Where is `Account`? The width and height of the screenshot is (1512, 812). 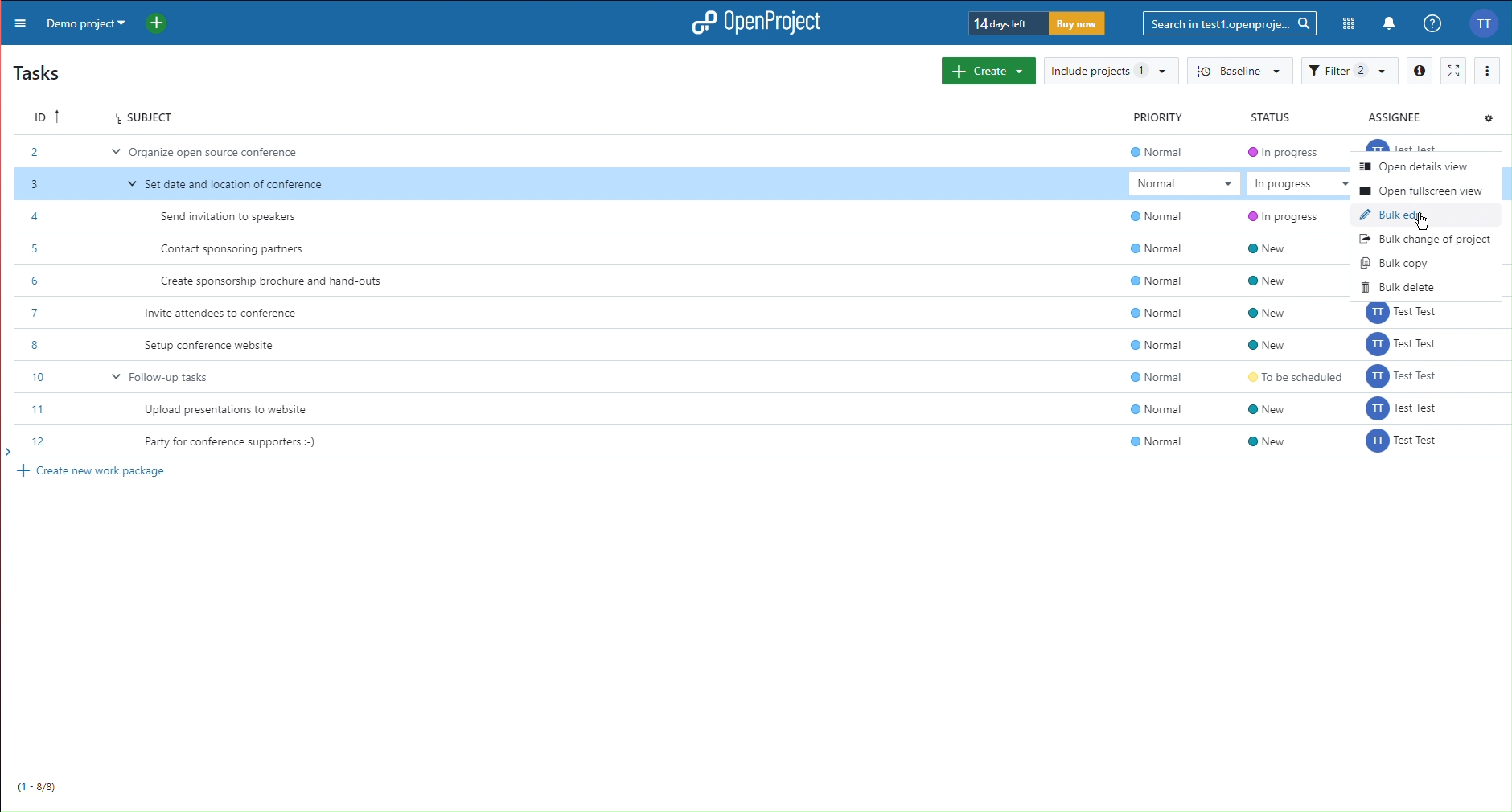
Account is located at coordinates (1489, 23).